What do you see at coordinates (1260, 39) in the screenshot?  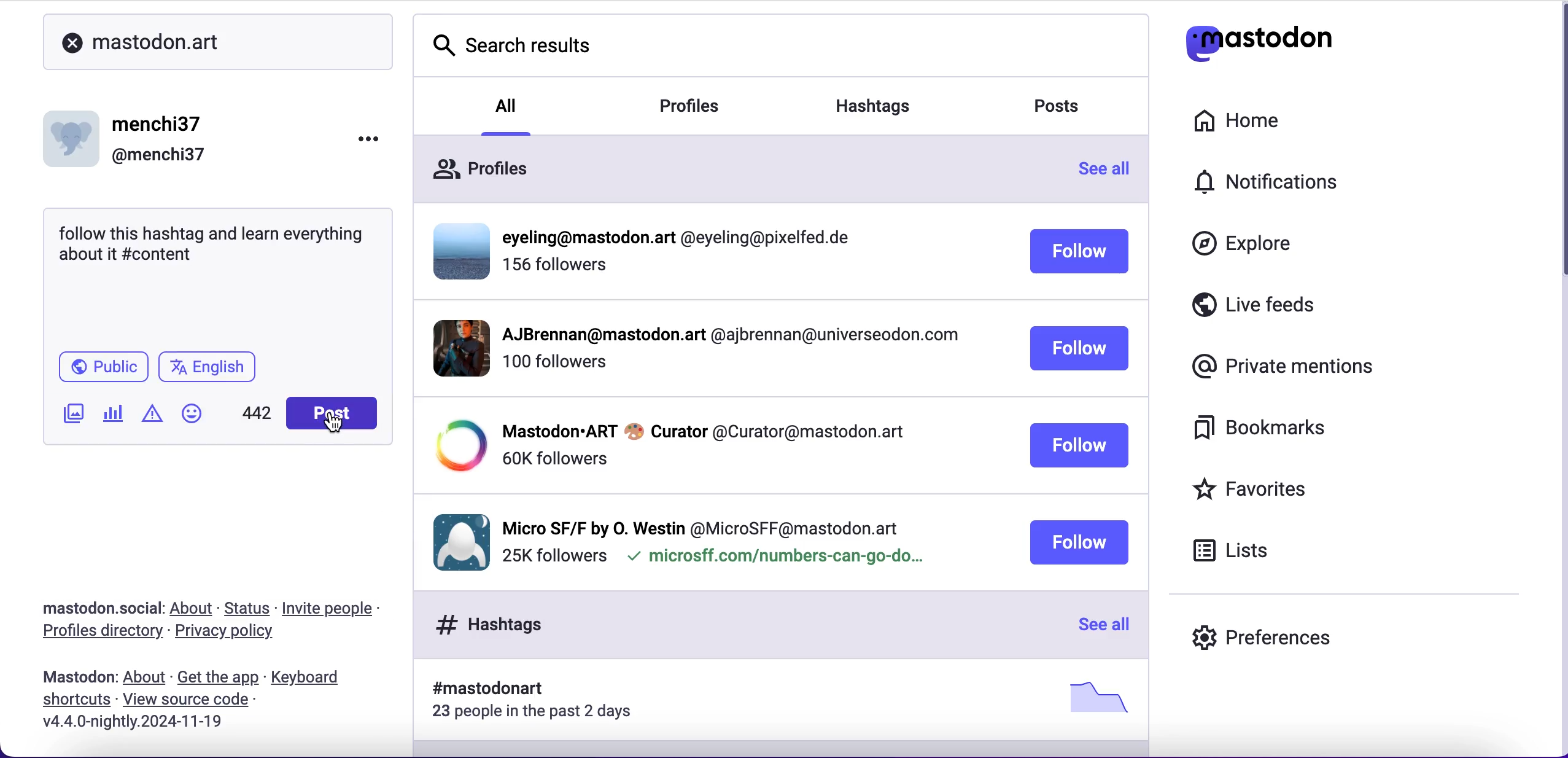 I see `mastodon logo` at bounding box center [1260, 39].